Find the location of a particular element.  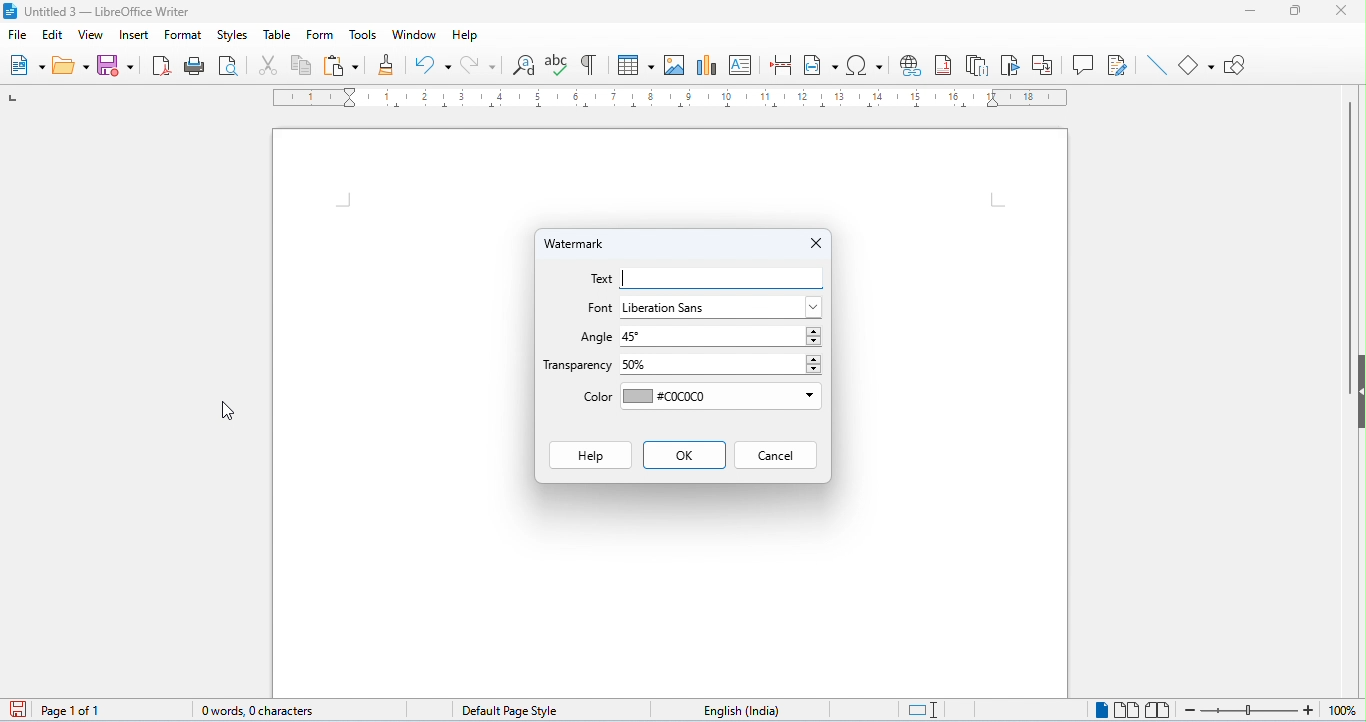

new is located at coordinates (26, 65).